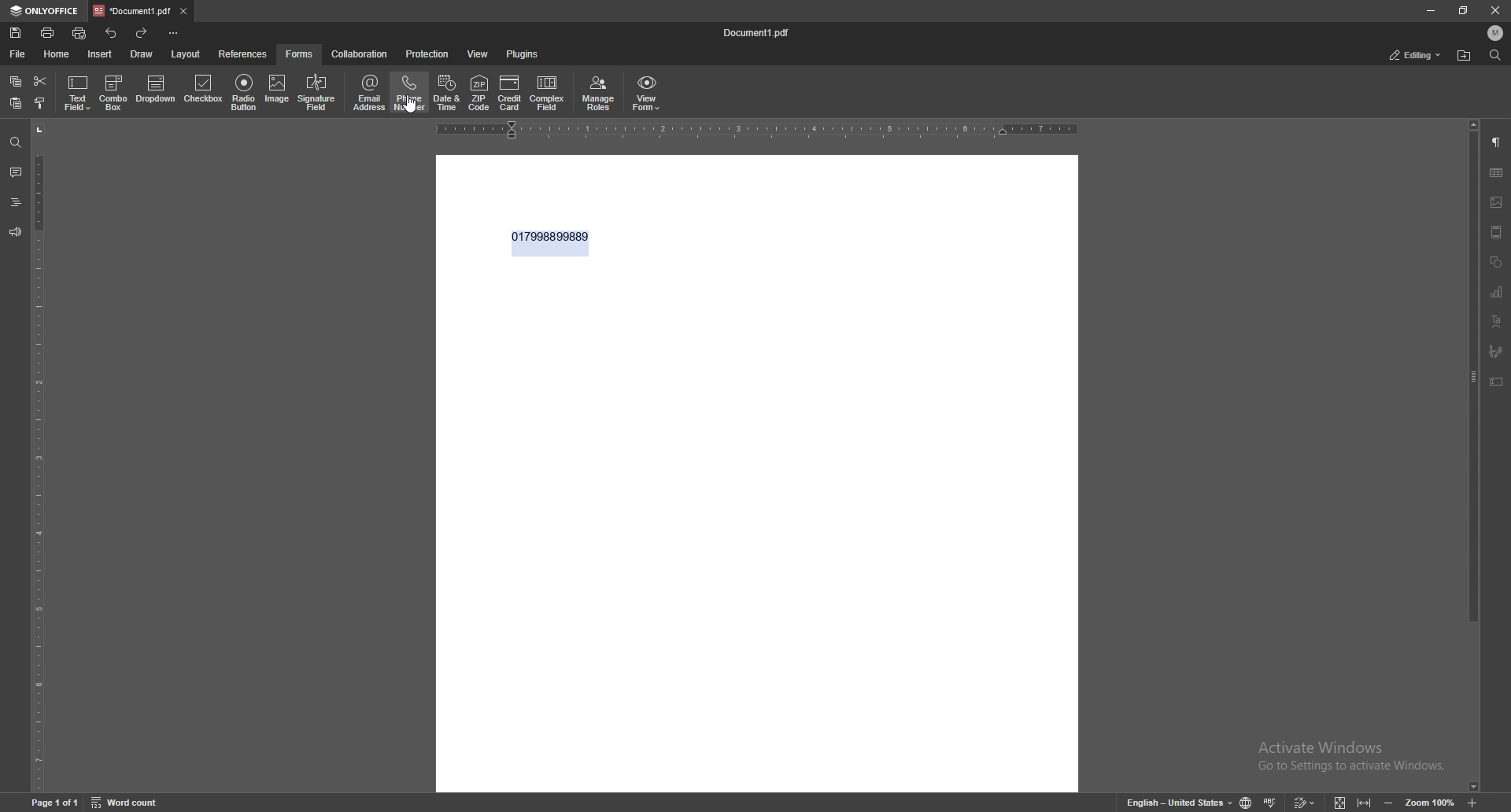 Image resolution: width=1511 pixels, height=812 pixels. I want to click on Page 1 of 1, so click(56, 803).